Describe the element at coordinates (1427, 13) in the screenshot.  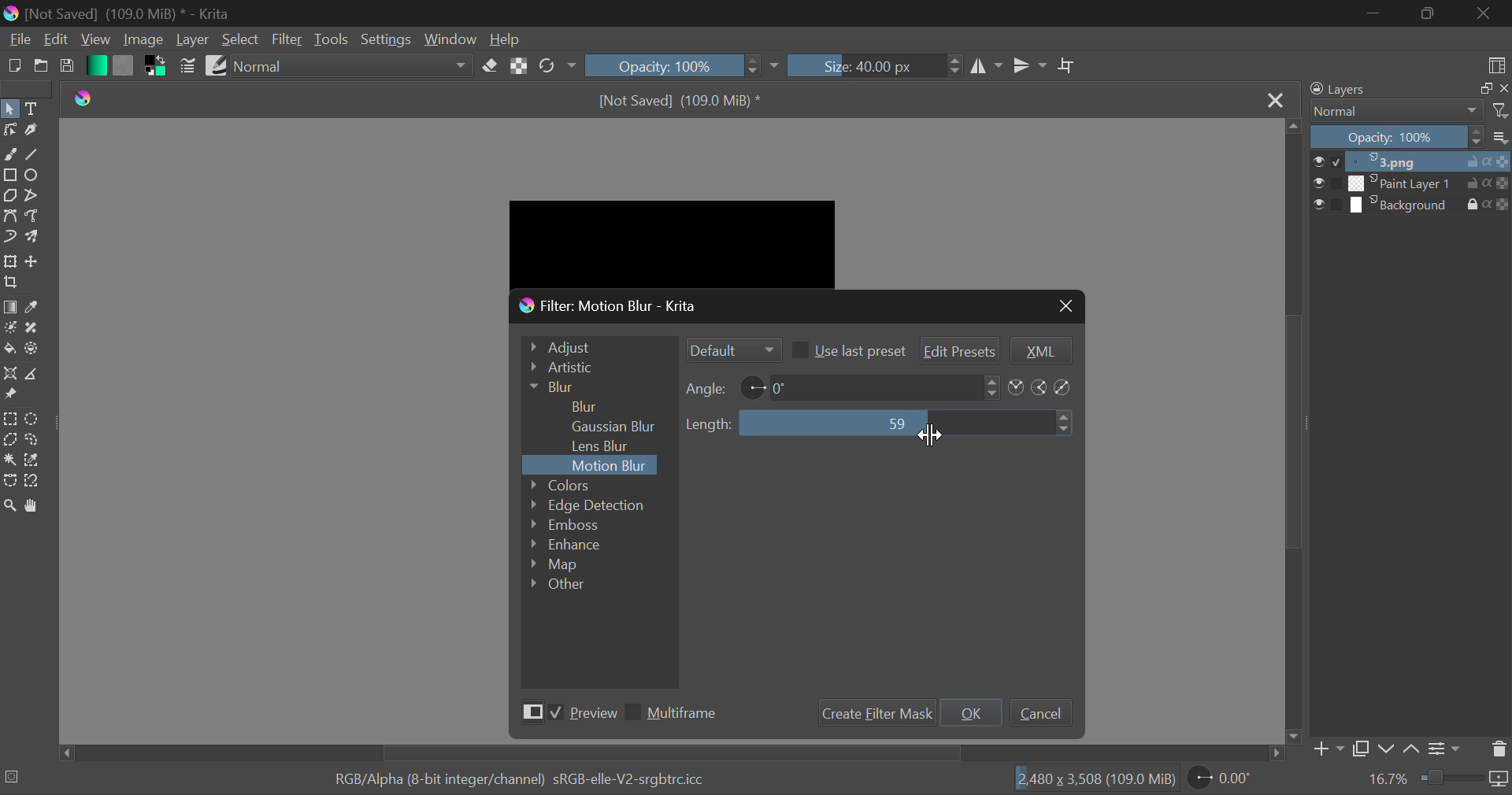
I see `Minimize` at that location.